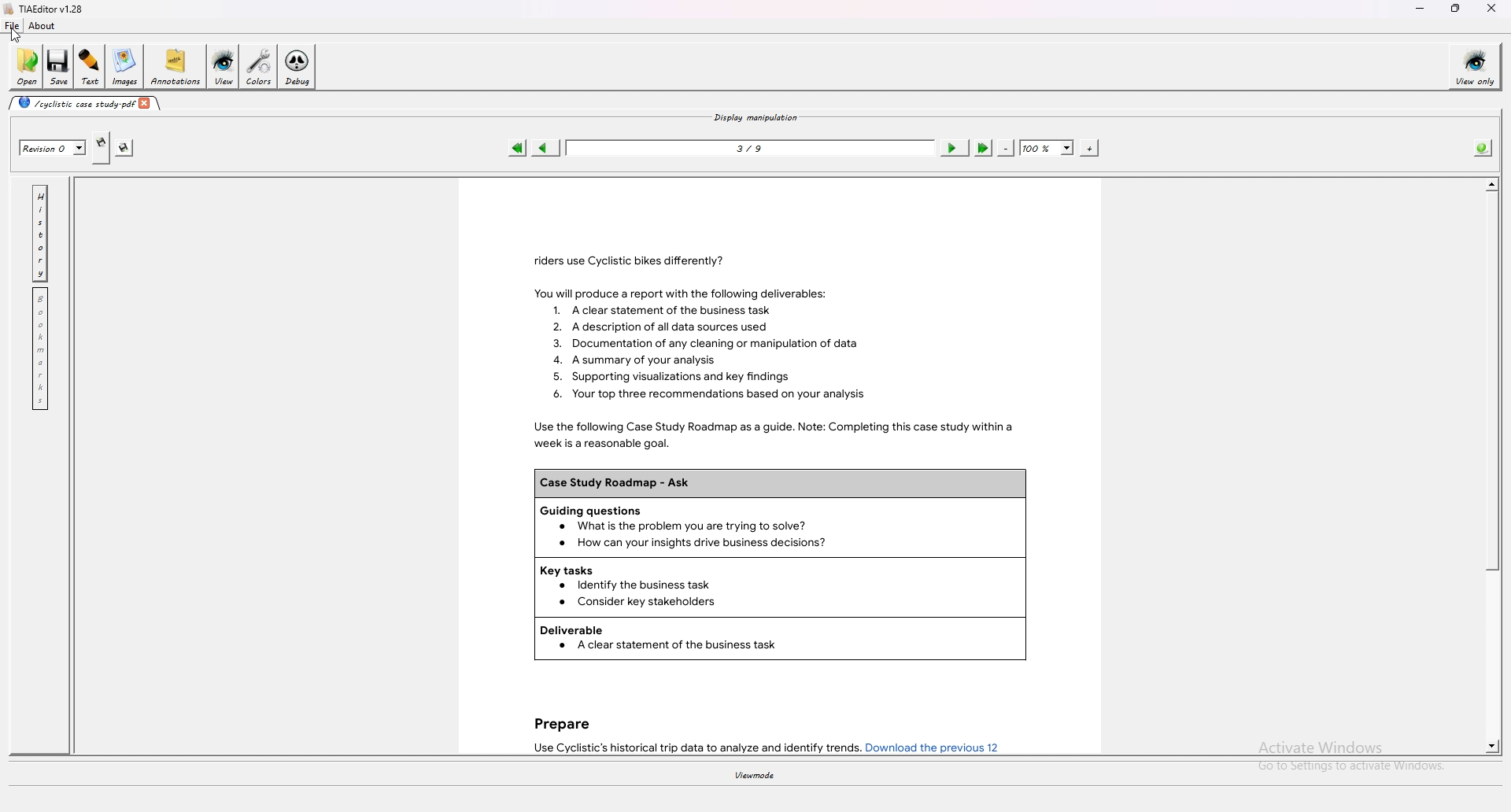 The image size is (1511, 812). What do you see at coordinates (297, 67) in the screenshot?
I see `debug` at bounding box center [297, 67].